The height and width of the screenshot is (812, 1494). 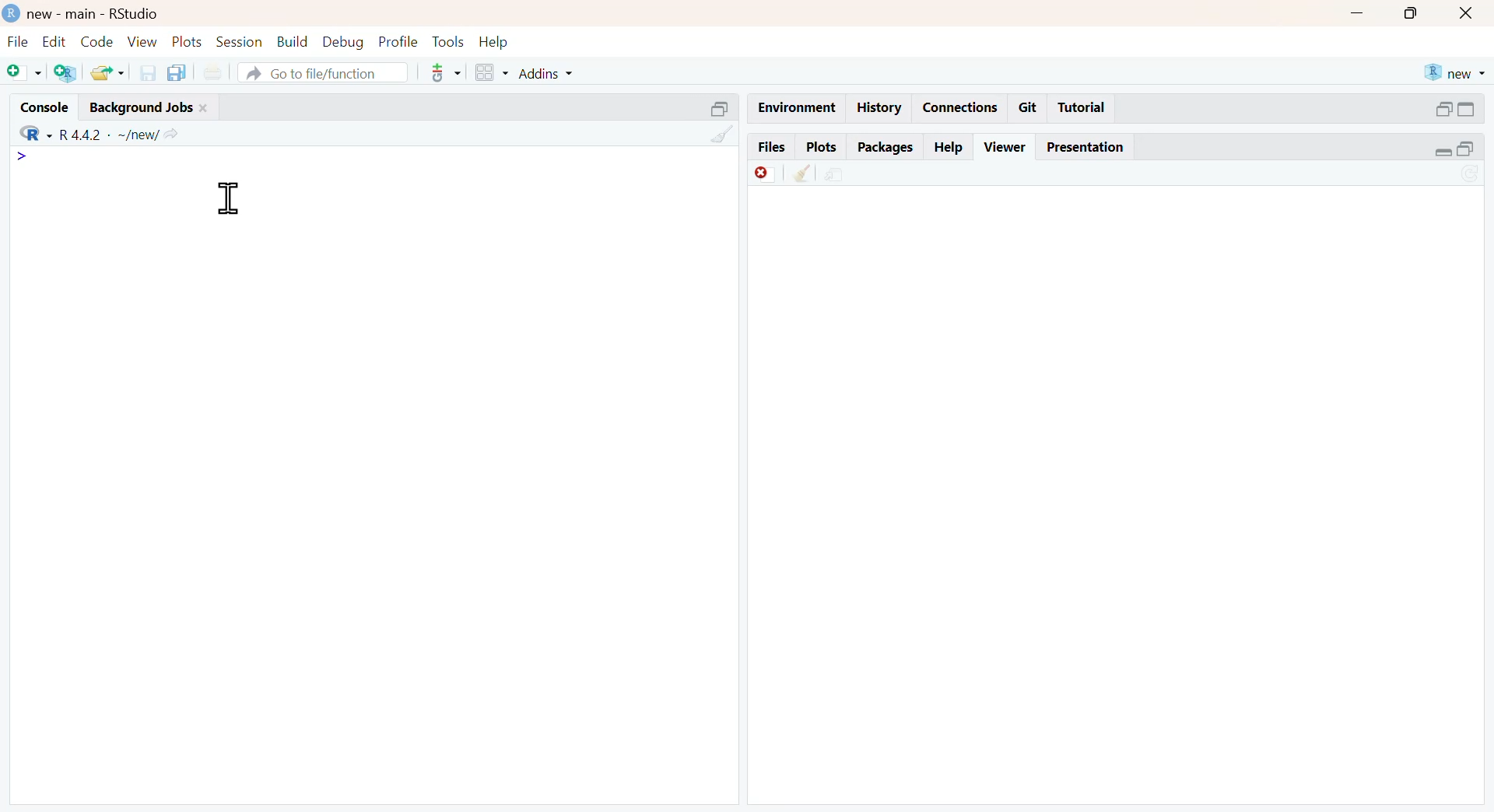 I want to click on share folder as, so click(x=109, y=73).